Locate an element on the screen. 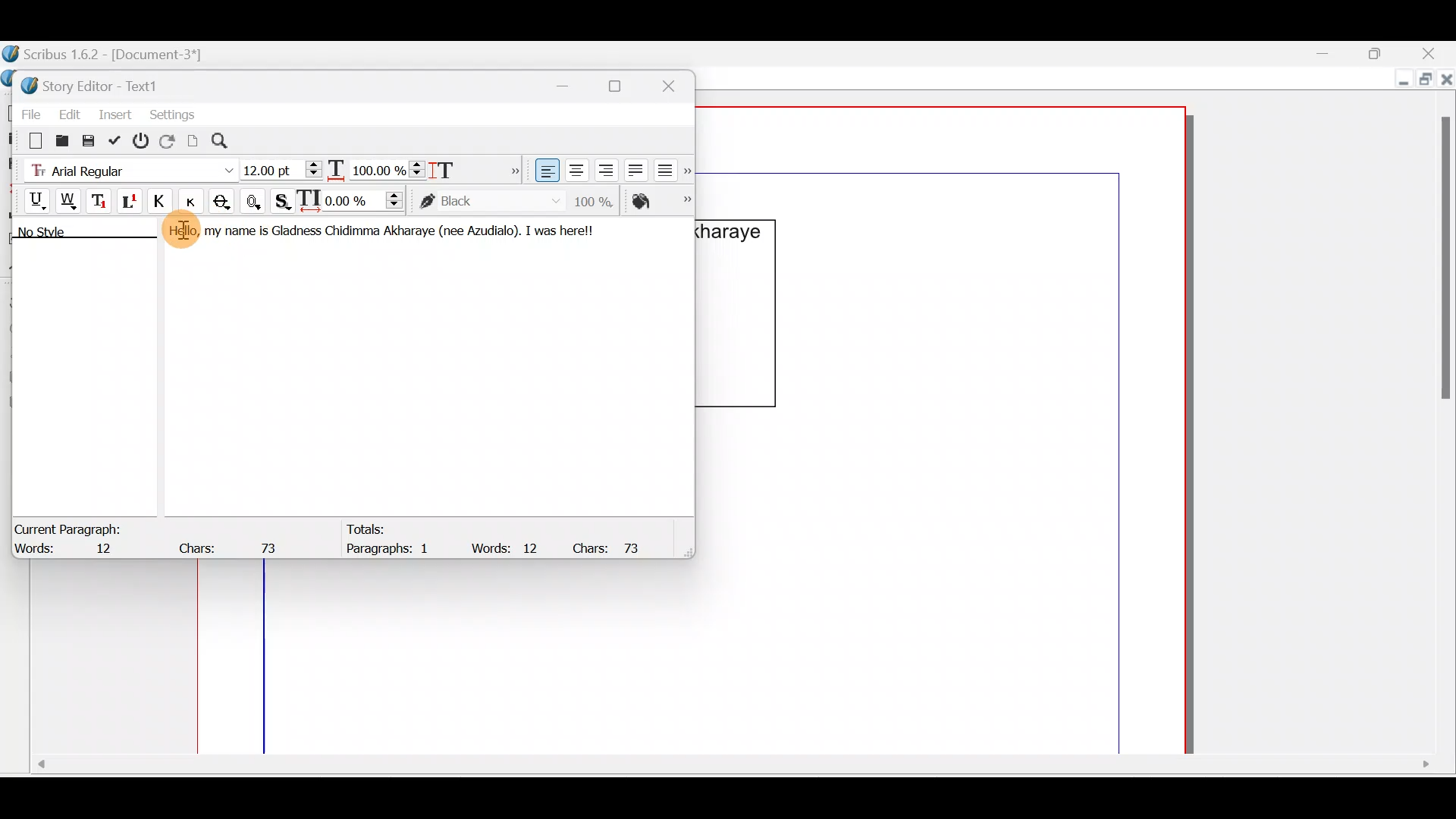 Image resolution: width=1456 pixels, height=819 pixels. (nee is located at coordinates (449, 231).